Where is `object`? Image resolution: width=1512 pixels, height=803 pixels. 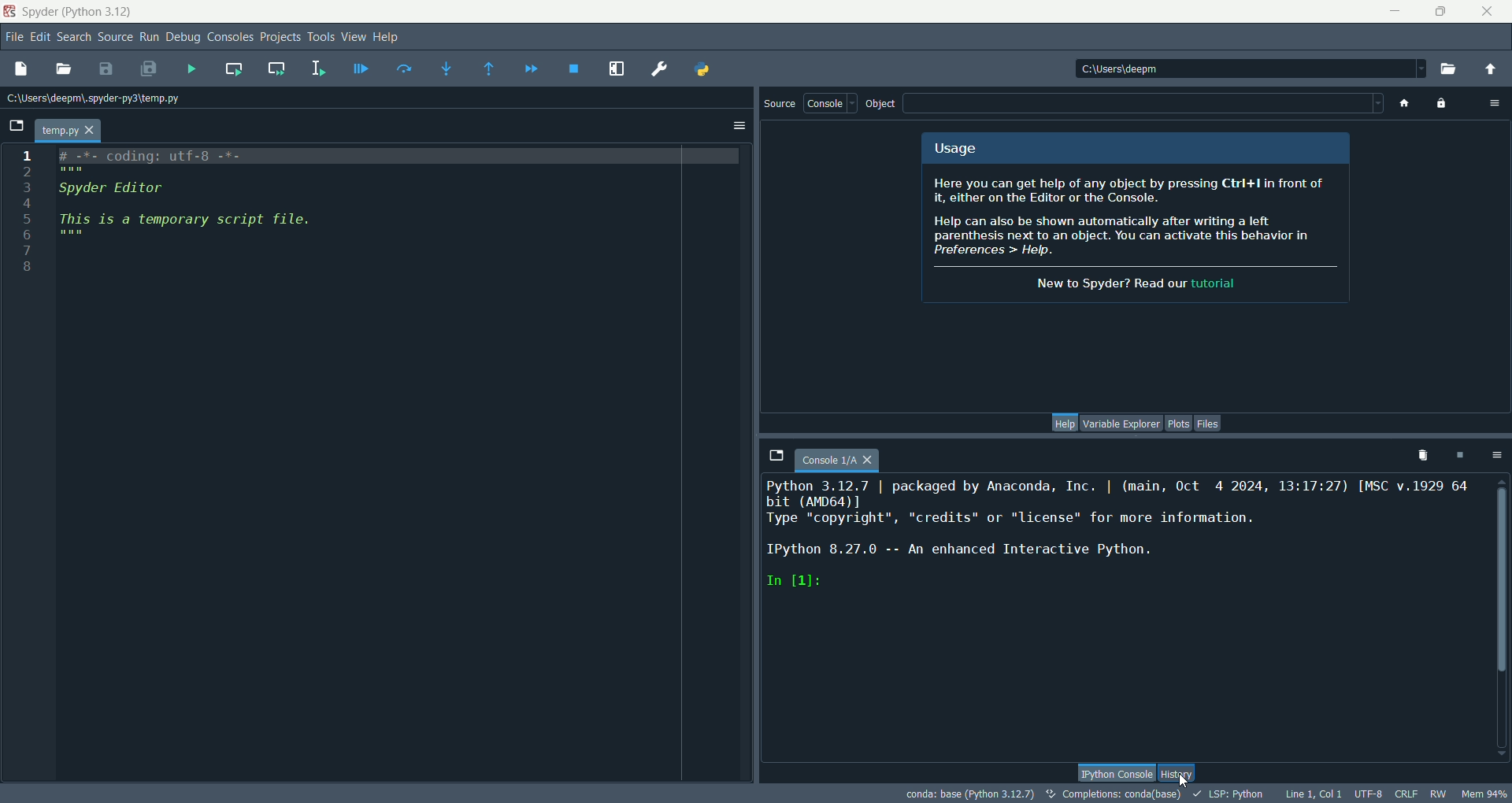 object is located at coordinates (881, 102).